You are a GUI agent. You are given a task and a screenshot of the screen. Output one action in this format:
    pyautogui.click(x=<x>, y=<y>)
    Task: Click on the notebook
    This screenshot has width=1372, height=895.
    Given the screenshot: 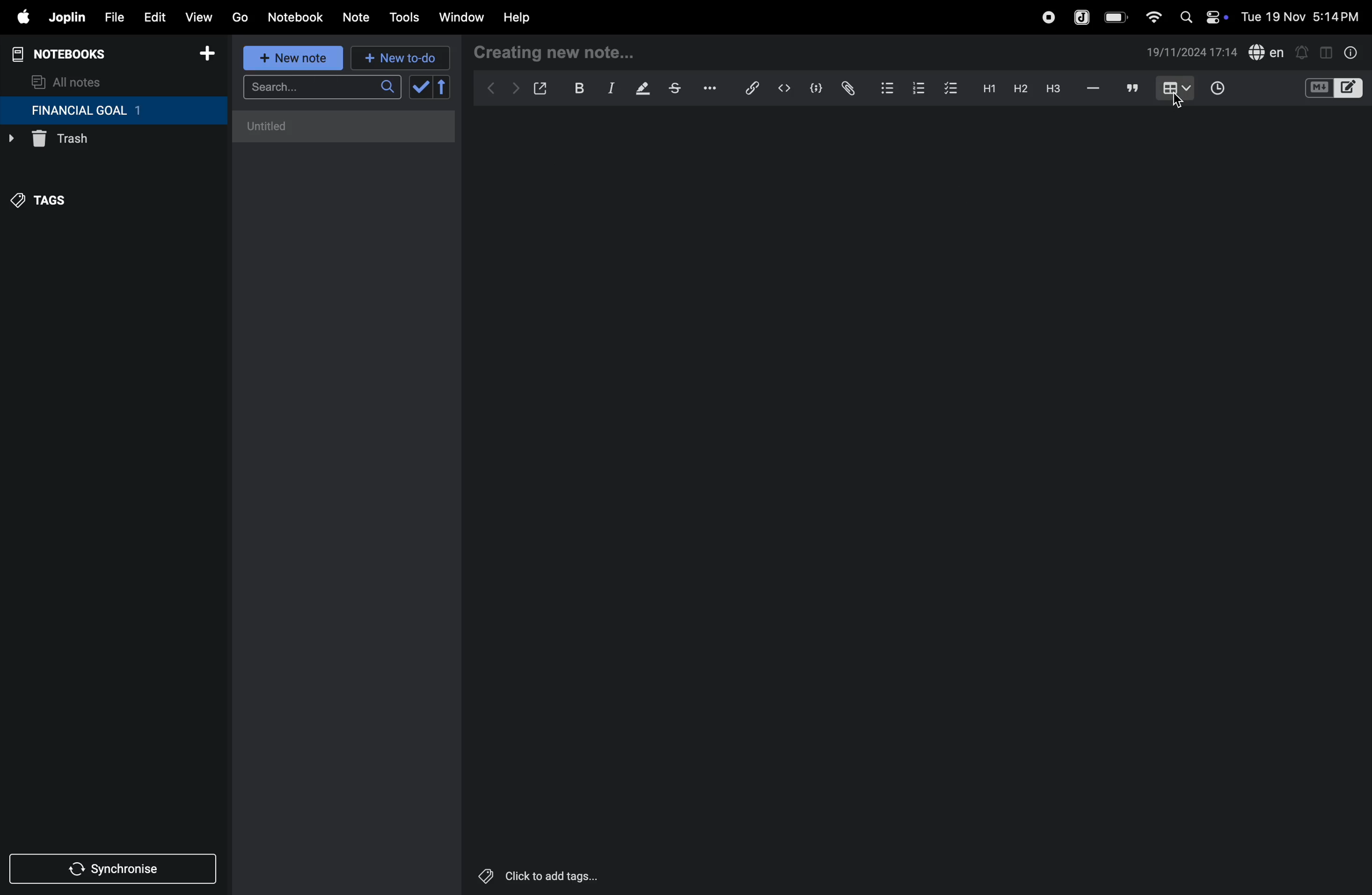 What is the action you would take?
    pyautogui.click(x=295, y=17)
    